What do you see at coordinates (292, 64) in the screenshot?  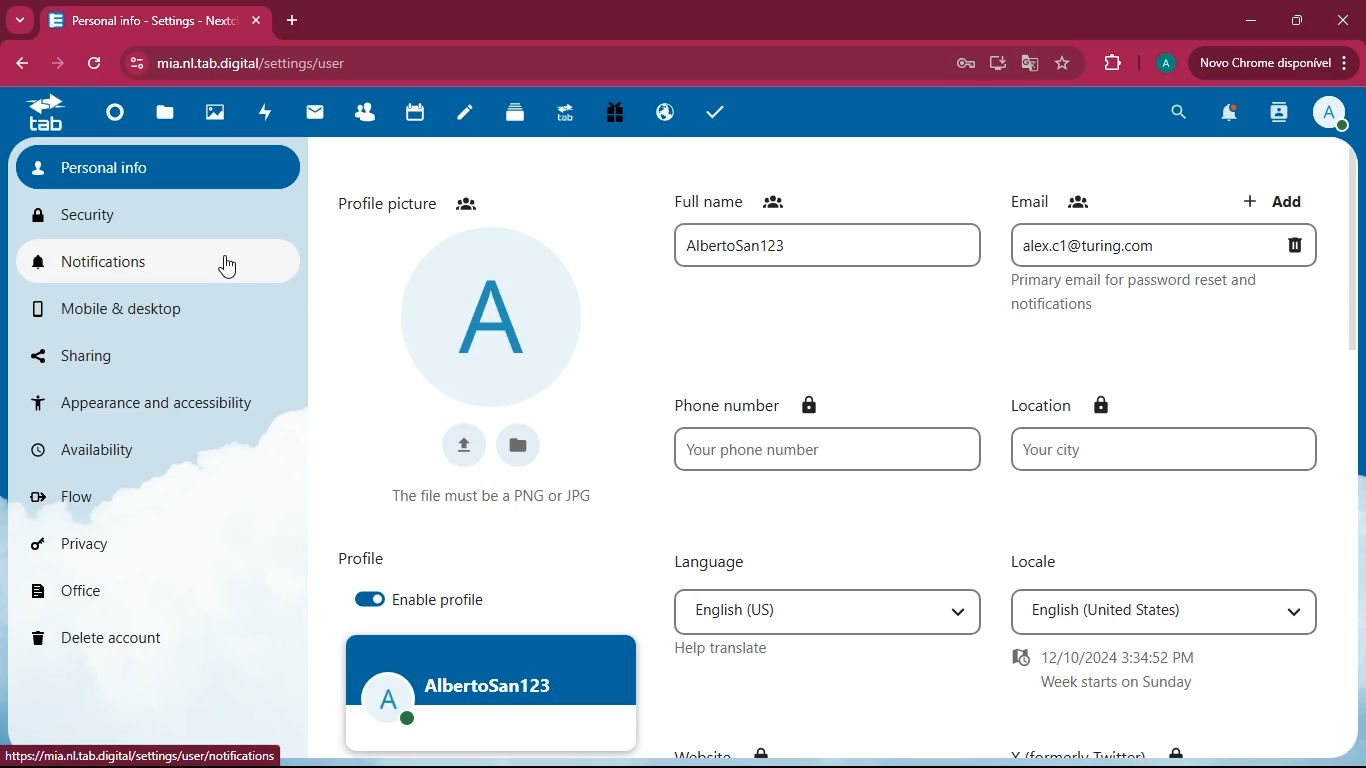 I see `url` at bounding box center [292, 64].